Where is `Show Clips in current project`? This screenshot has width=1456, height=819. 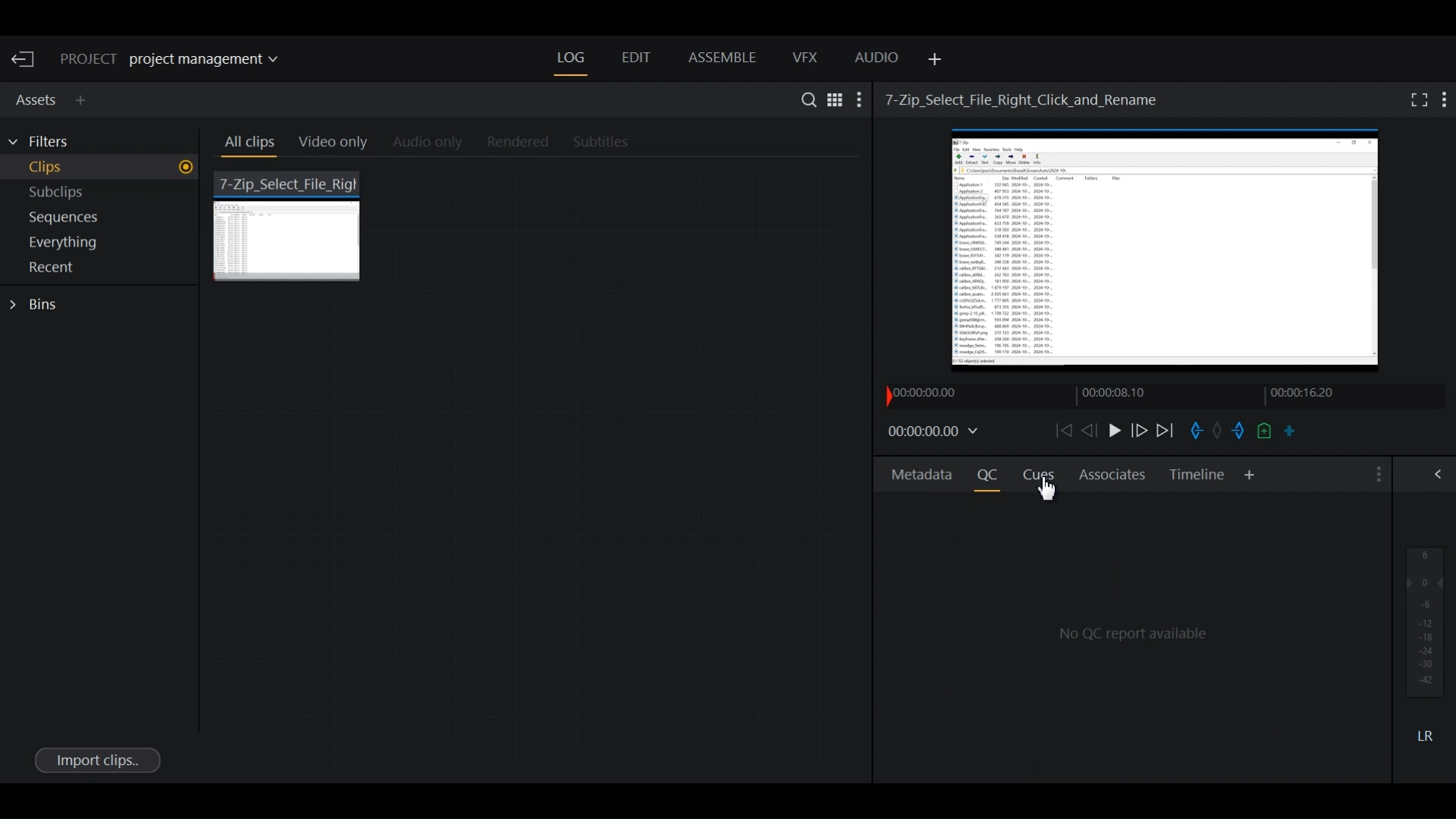
Show Clips in current project is located at coordinates (102, 169).